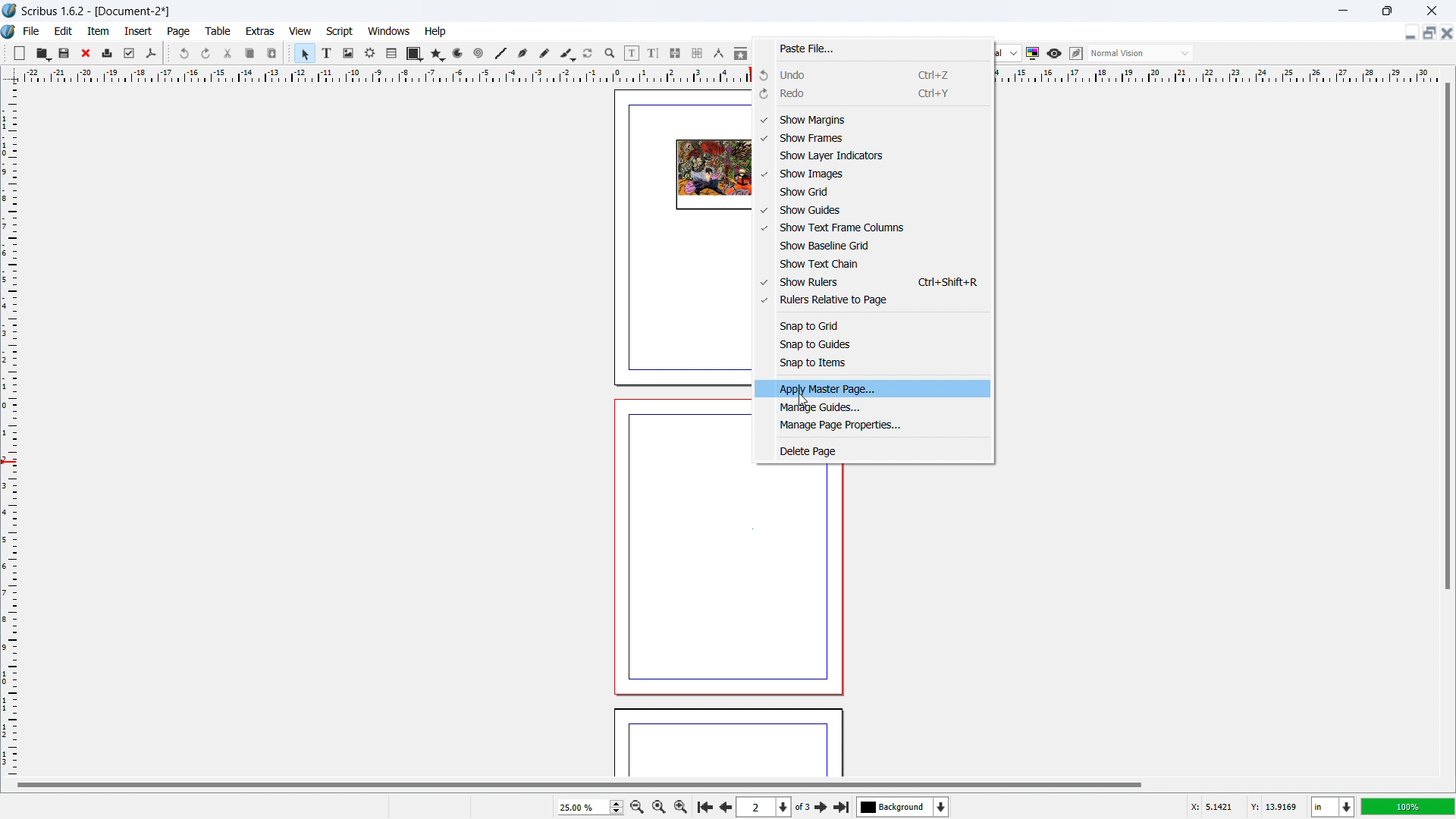 Image resolution: width=1456 pixels, height=819 pixels. I want to click on select item, so click(305, 54).